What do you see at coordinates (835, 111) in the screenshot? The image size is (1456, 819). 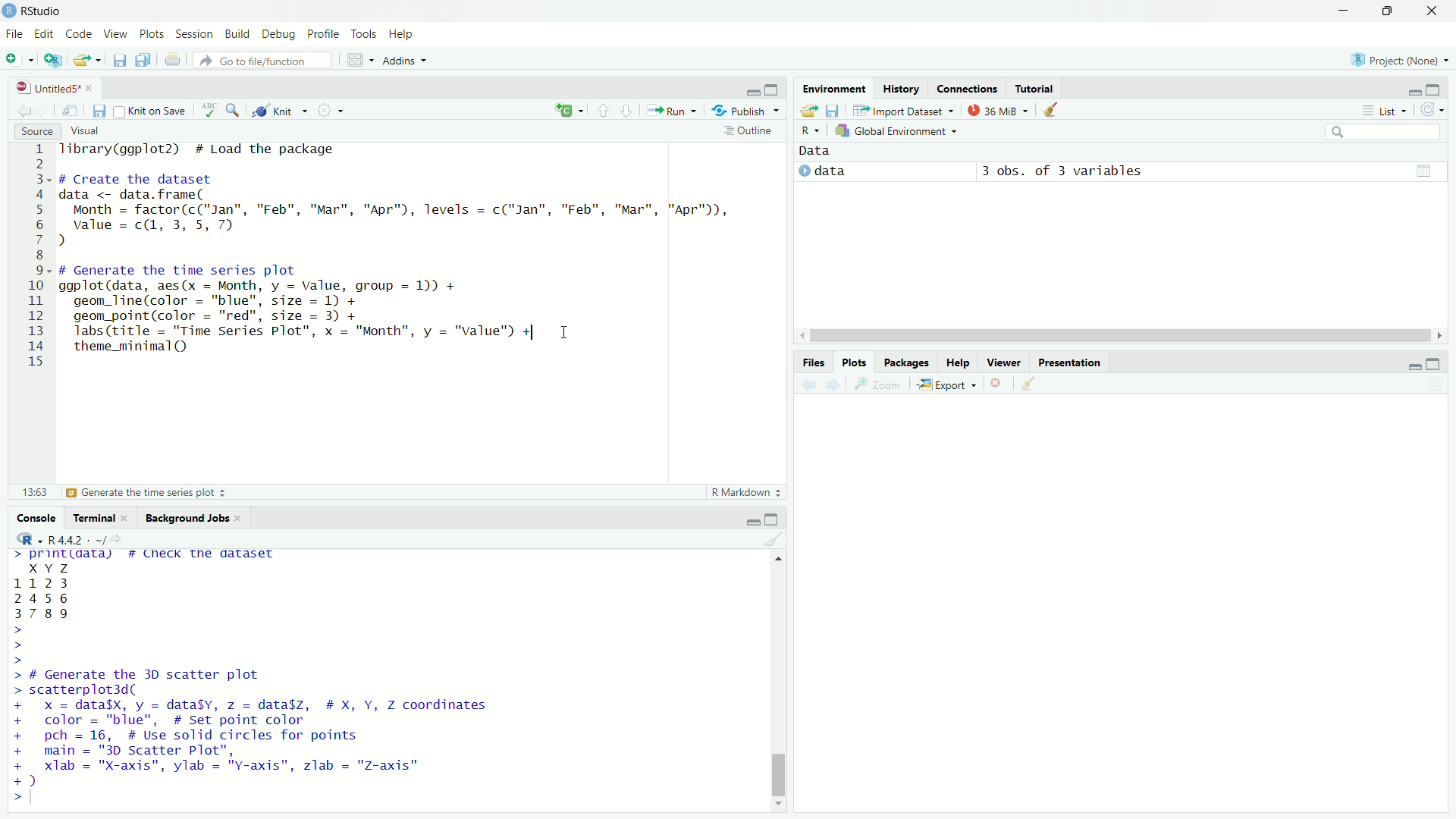 I see `save workspace as` at bounding box center [835, 111].